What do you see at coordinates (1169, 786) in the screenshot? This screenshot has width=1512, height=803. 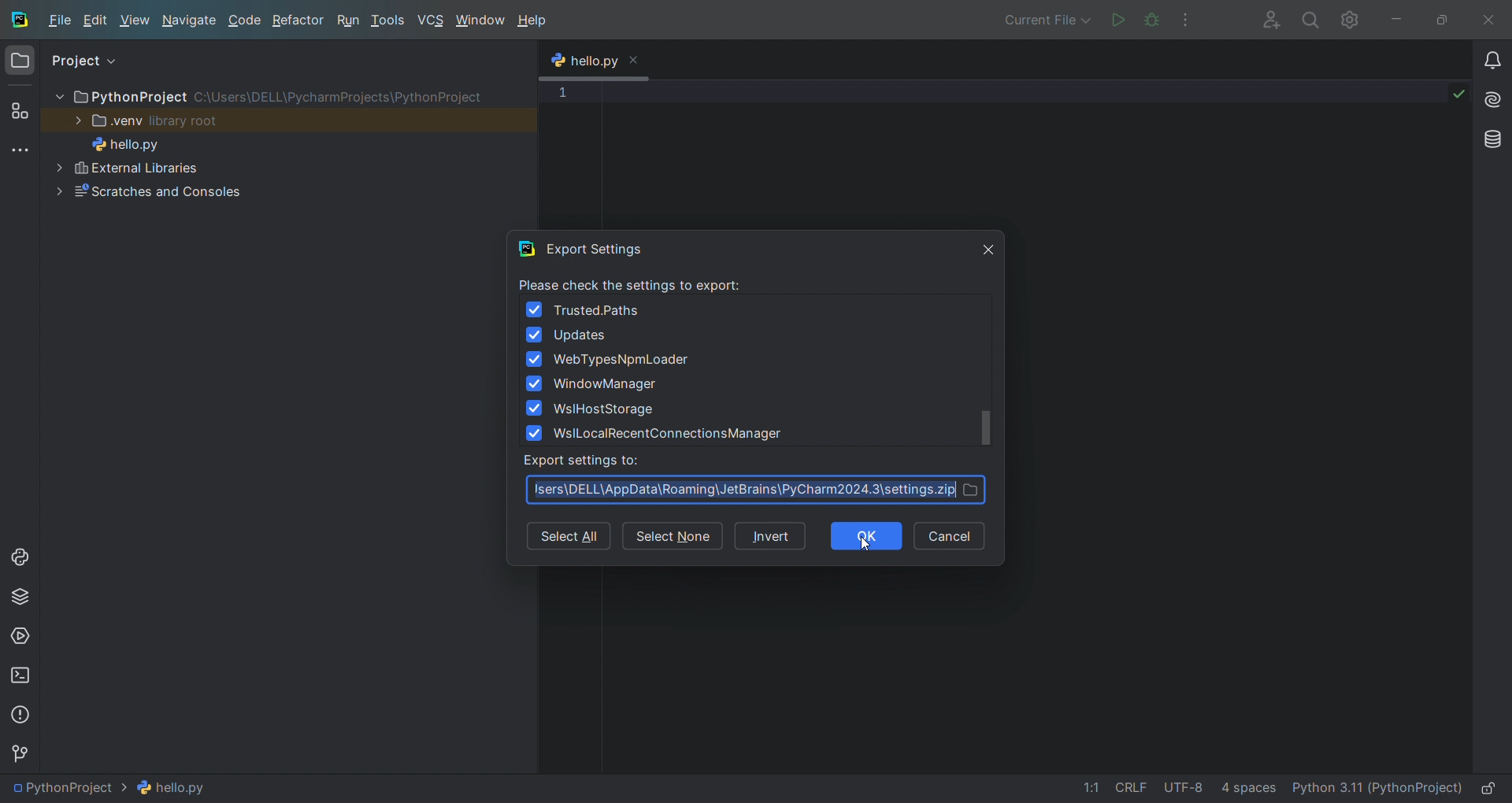 I see `file data` at bounding box center [1169, 786].